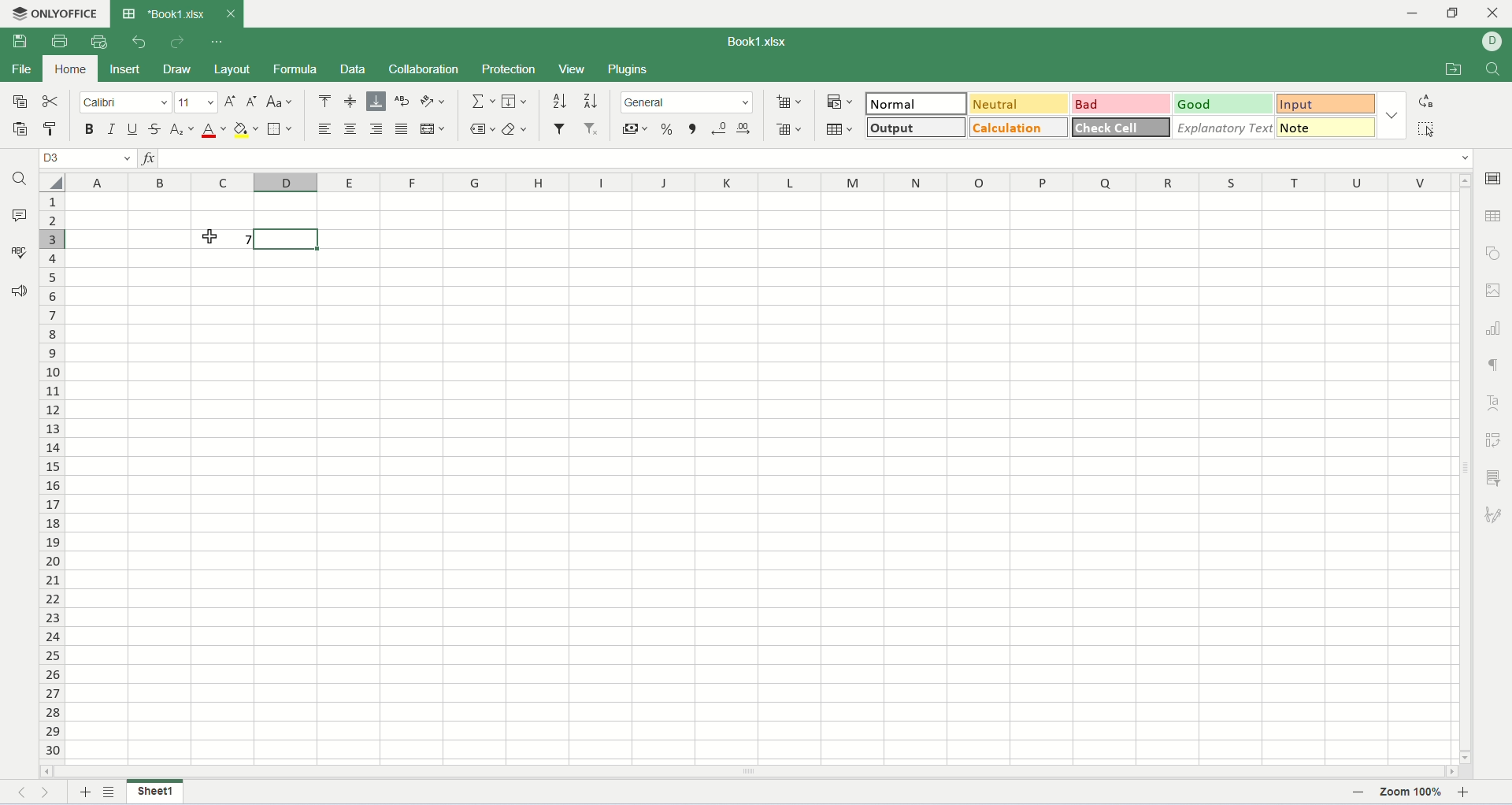 Image resolution: width=1512 pixels, height=805 pixels. Describe the element at coordinates (791, 101) in the screenshot. I see `insert cell` at that location.